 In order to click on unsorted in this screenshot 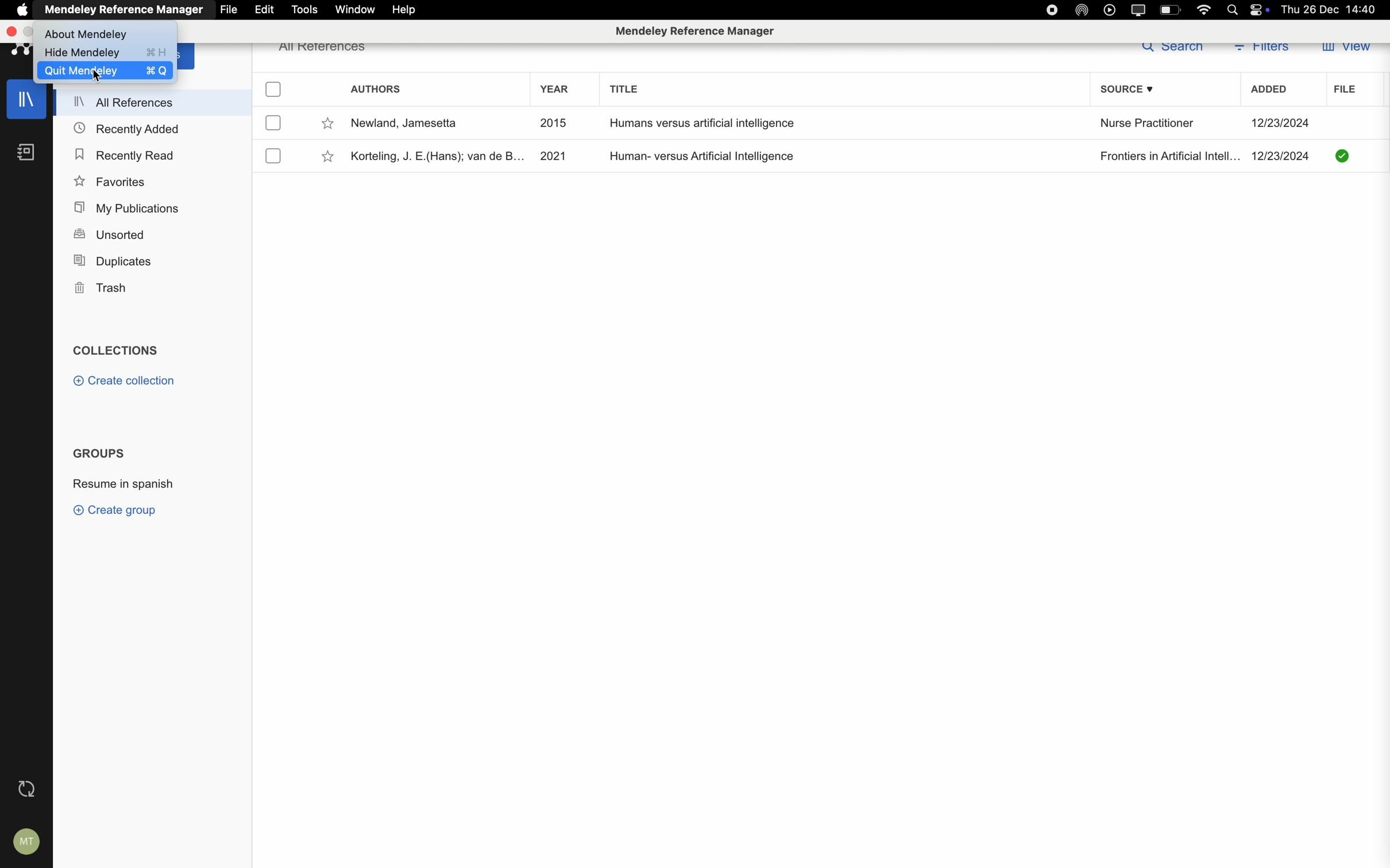, I will do `click(109, 234)`.